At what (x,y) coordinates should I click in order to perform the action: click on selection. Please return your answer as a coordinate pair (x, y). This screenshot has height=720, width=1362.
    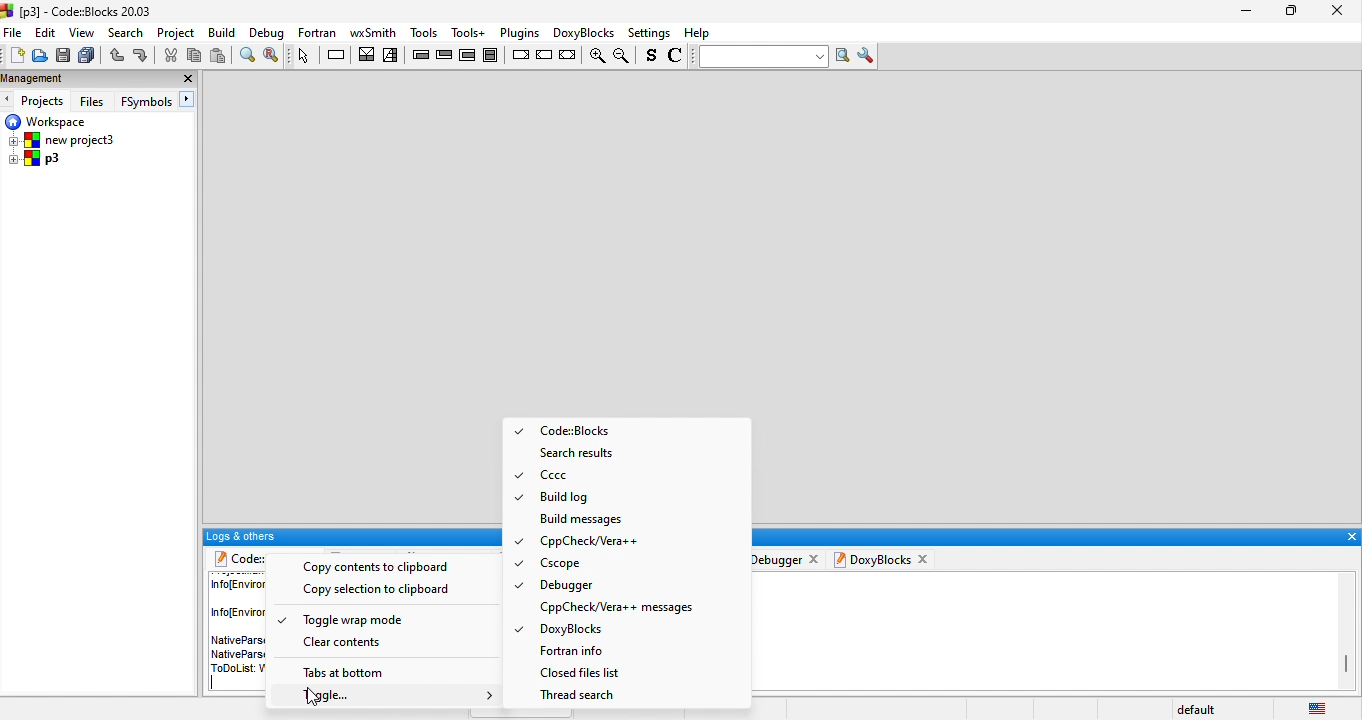
    Looking at the image, I should click on (392, 56).